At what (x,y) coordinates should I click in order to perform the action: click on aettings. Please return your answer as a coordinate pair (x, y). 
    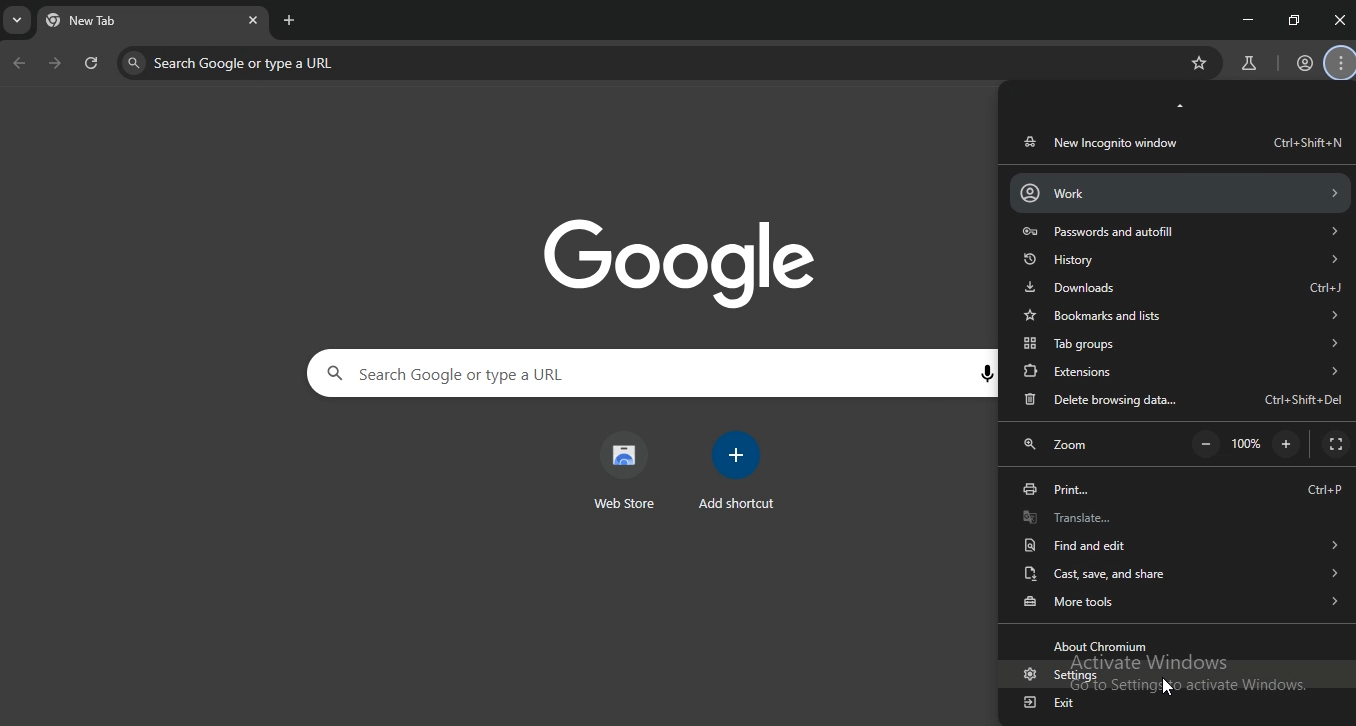
    Looking at the image, I should click on (1055, 676).